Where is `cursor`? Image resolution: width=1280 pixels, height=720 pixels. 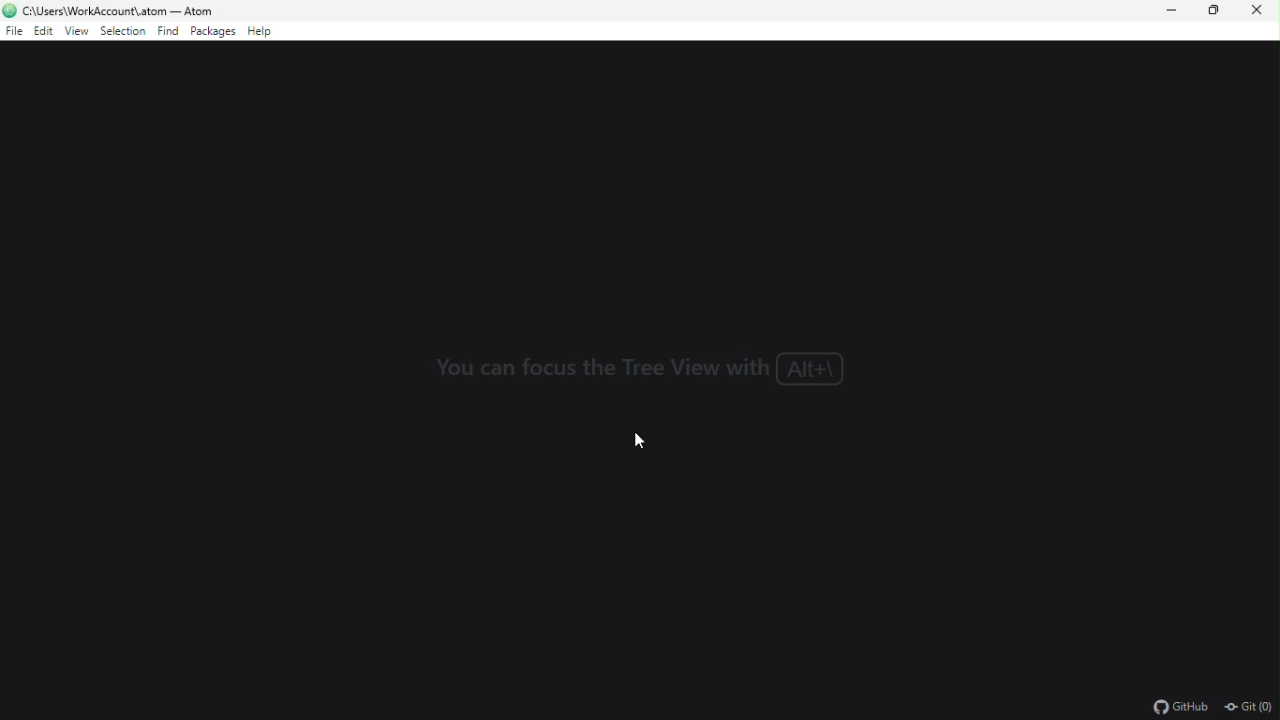
cursor is located at coordinates (641, 438).